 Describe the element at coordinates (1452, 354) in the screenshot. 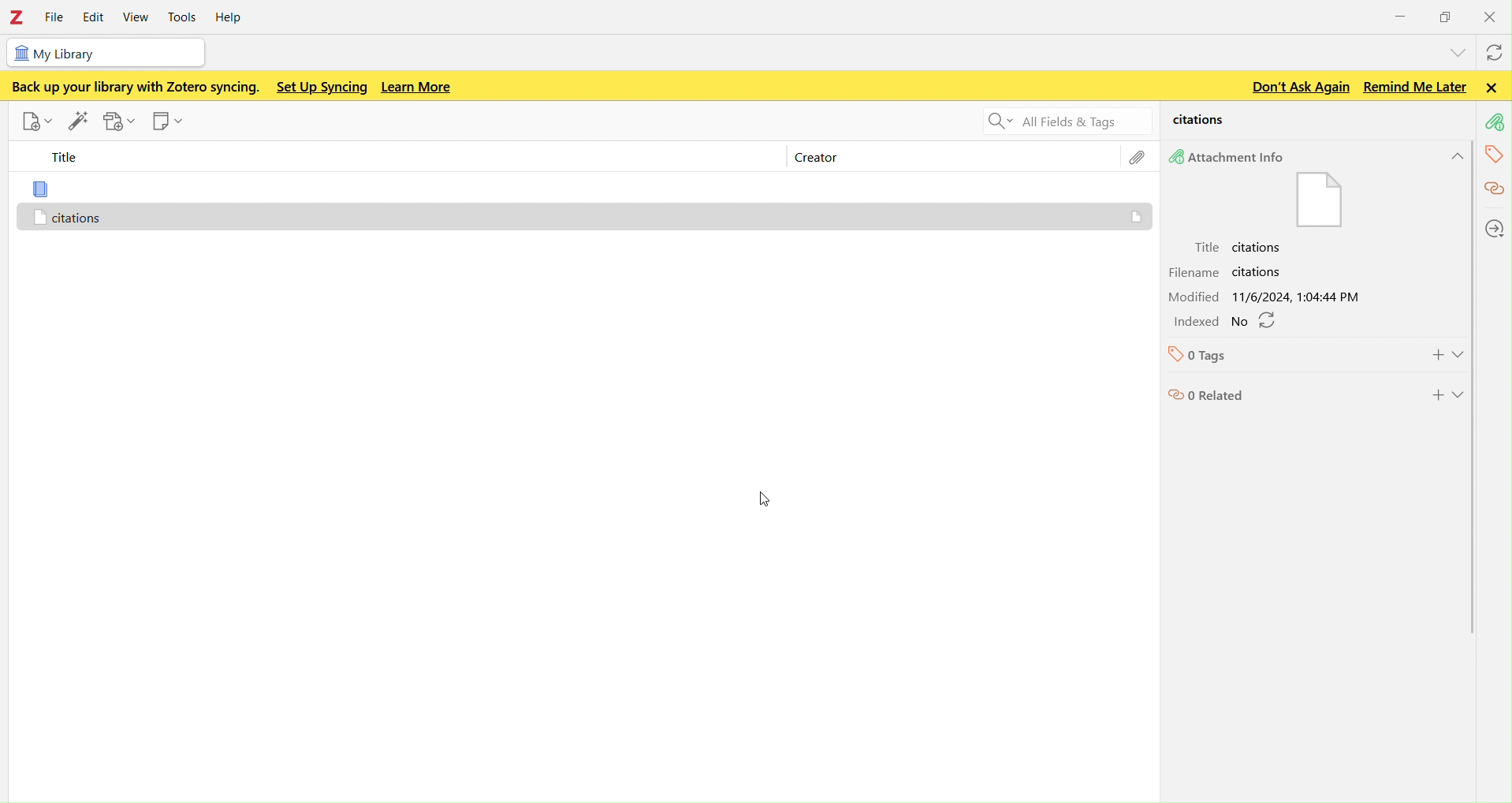

I see `Show` at that location.